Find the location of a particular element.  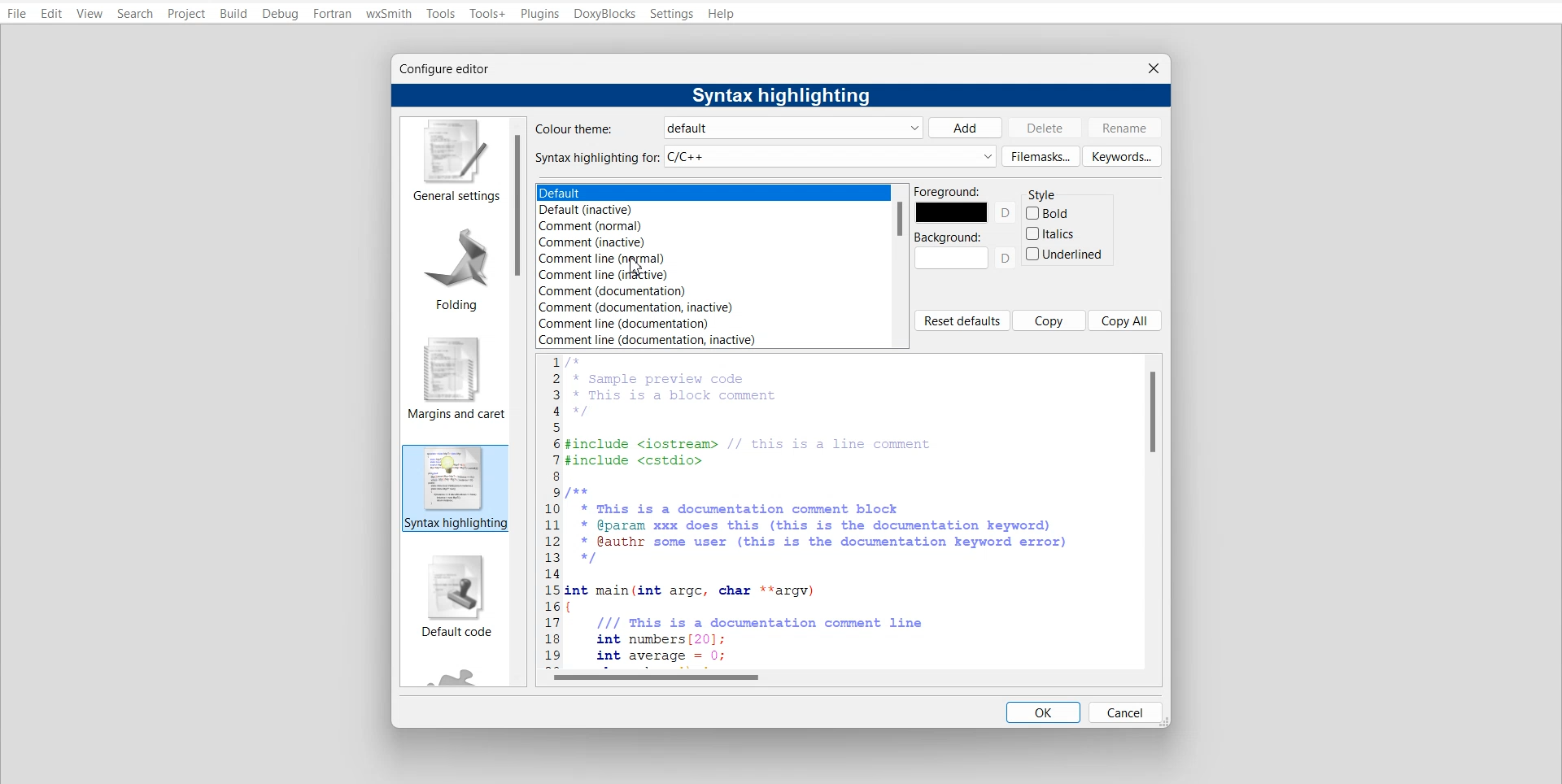

Syntax highlighting is located at coordinates (774, 96).